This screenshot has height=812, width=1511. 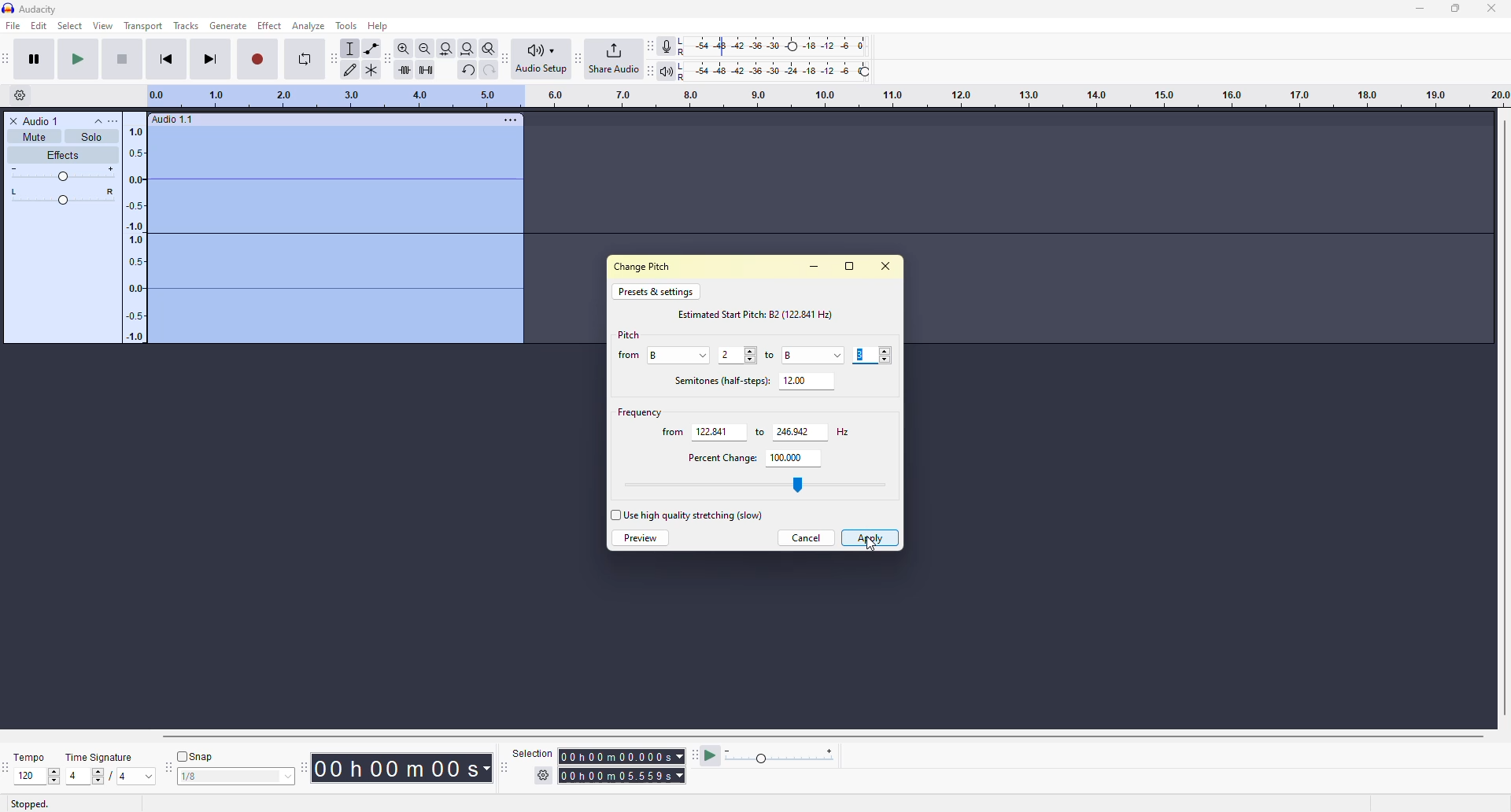 I want to click on effect, so click(x=271, y=25).